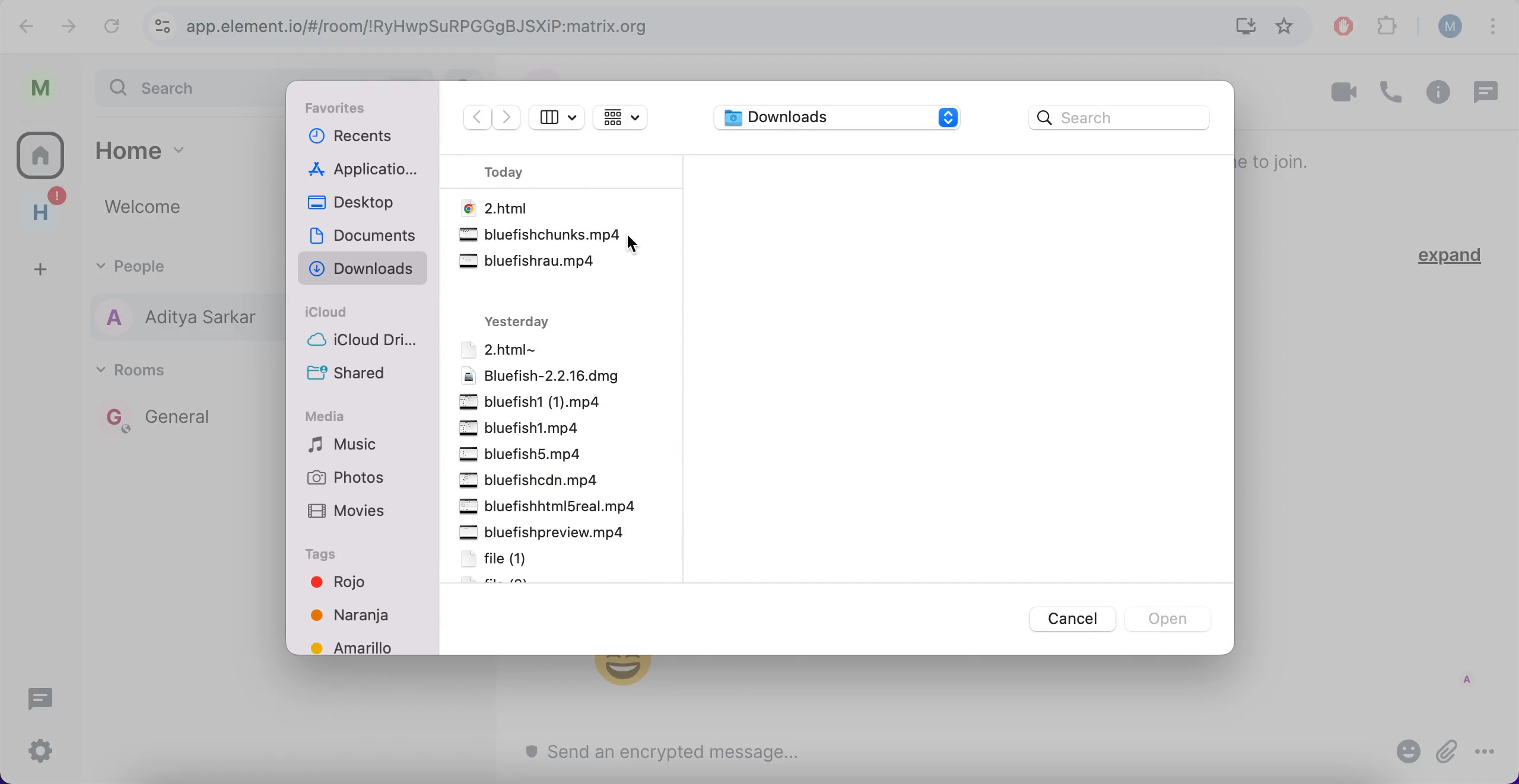  Describe the element at coordinates (1452, 254) in the screenshot. I see `expand` at that location.